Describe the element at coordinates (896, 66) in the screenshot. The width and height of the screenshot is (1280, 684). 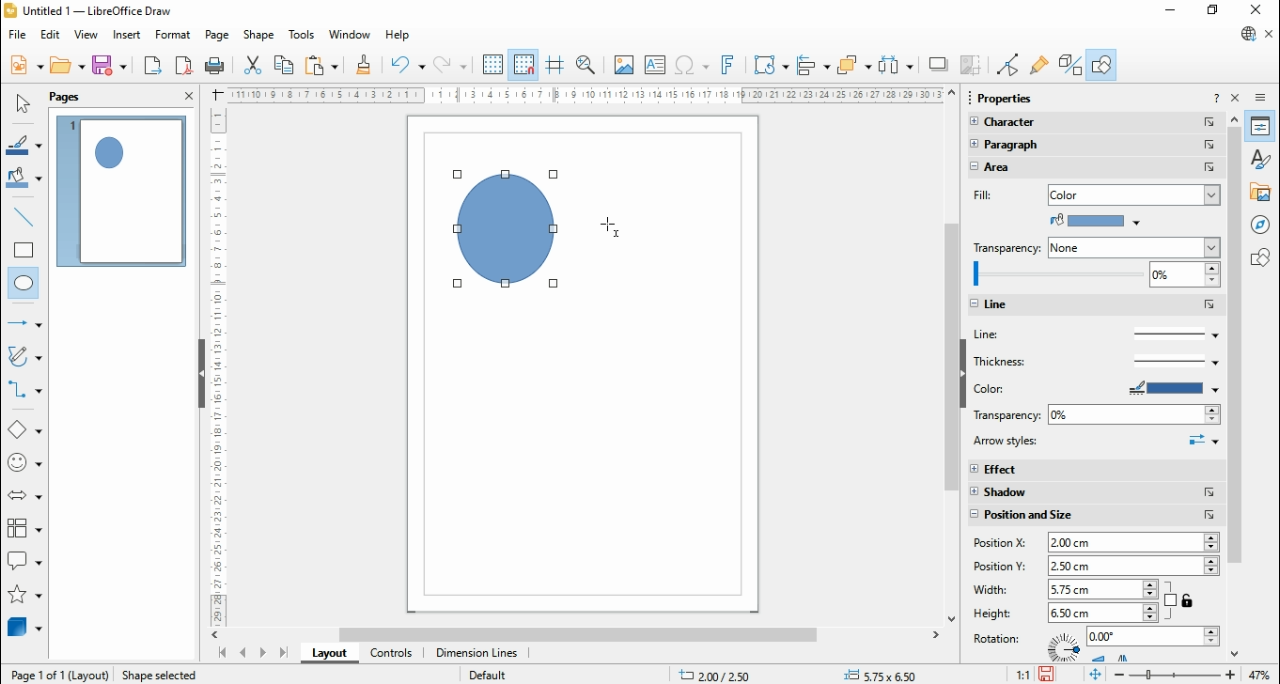
I see `select at least three objects to distribute` at that location.